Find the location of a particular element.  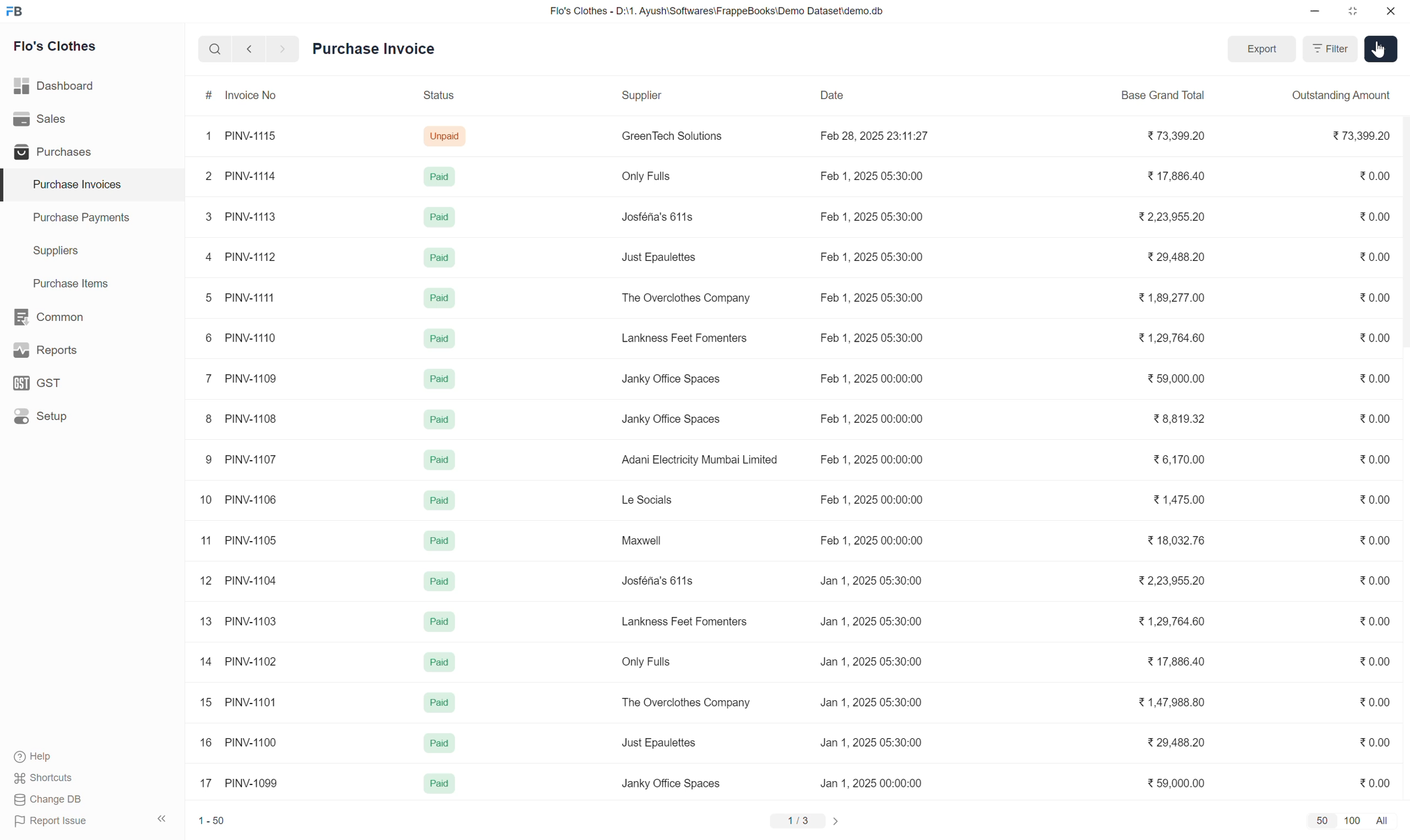

14 is located at coordinates (207, 661).